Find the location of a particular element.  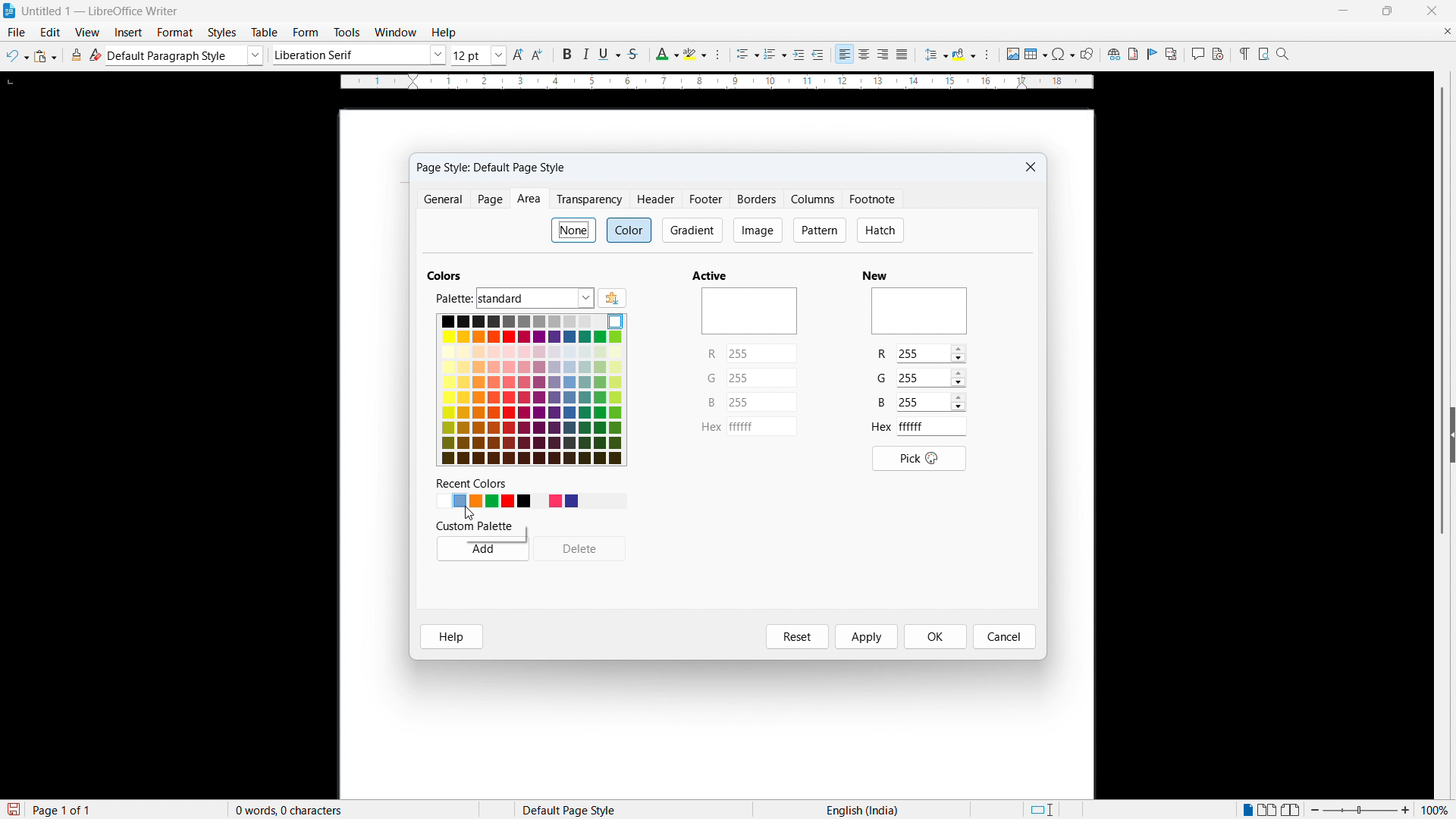

italic  is located at coordinates (584, 55).